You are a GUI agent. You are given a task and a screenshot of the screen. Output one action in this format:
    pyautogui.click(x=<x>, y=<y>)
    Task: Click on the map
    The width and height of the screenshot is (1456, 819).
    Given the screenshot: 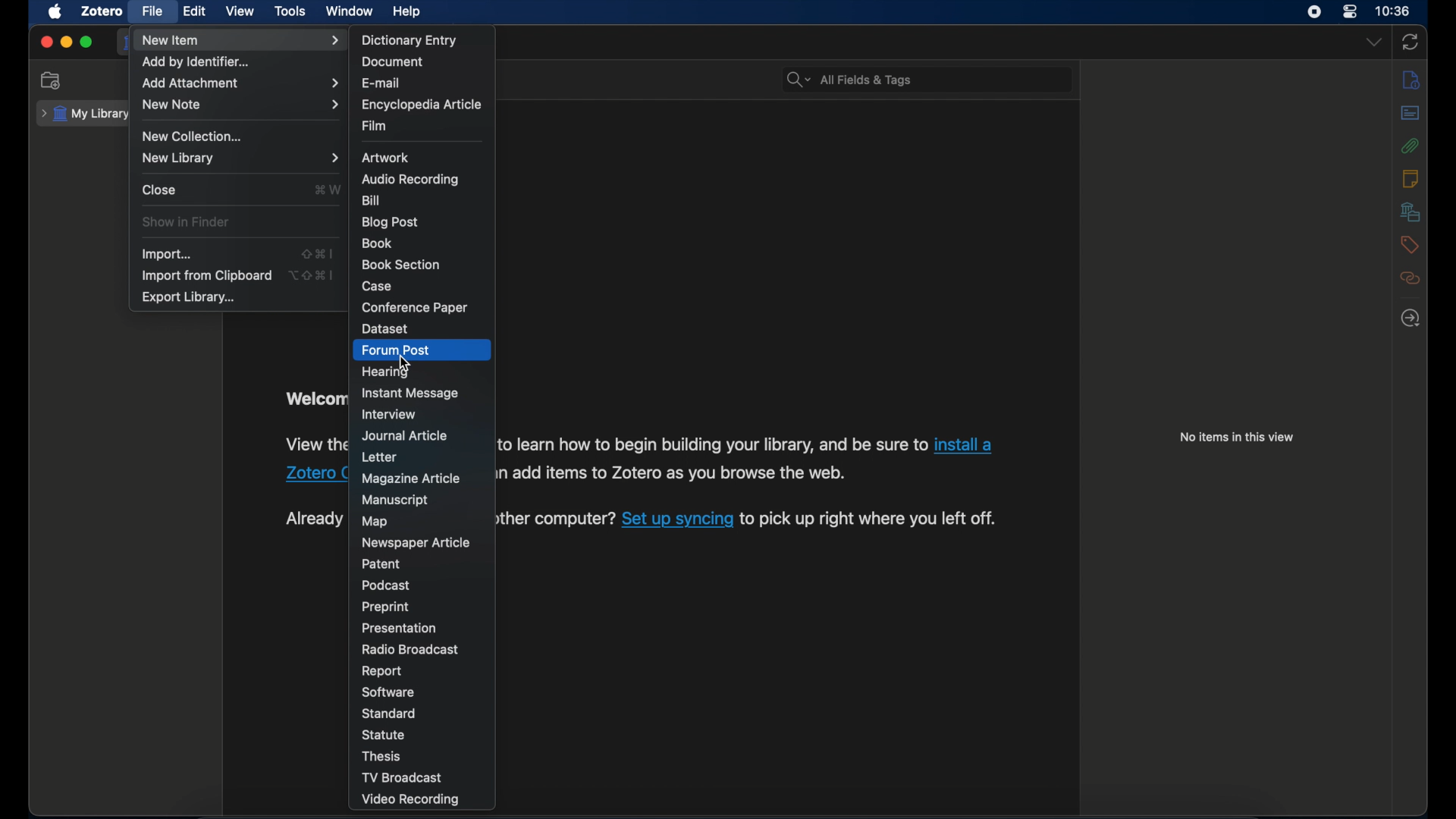 What is the action you would take?
    pyautogui.click(x=375, y=522)
    